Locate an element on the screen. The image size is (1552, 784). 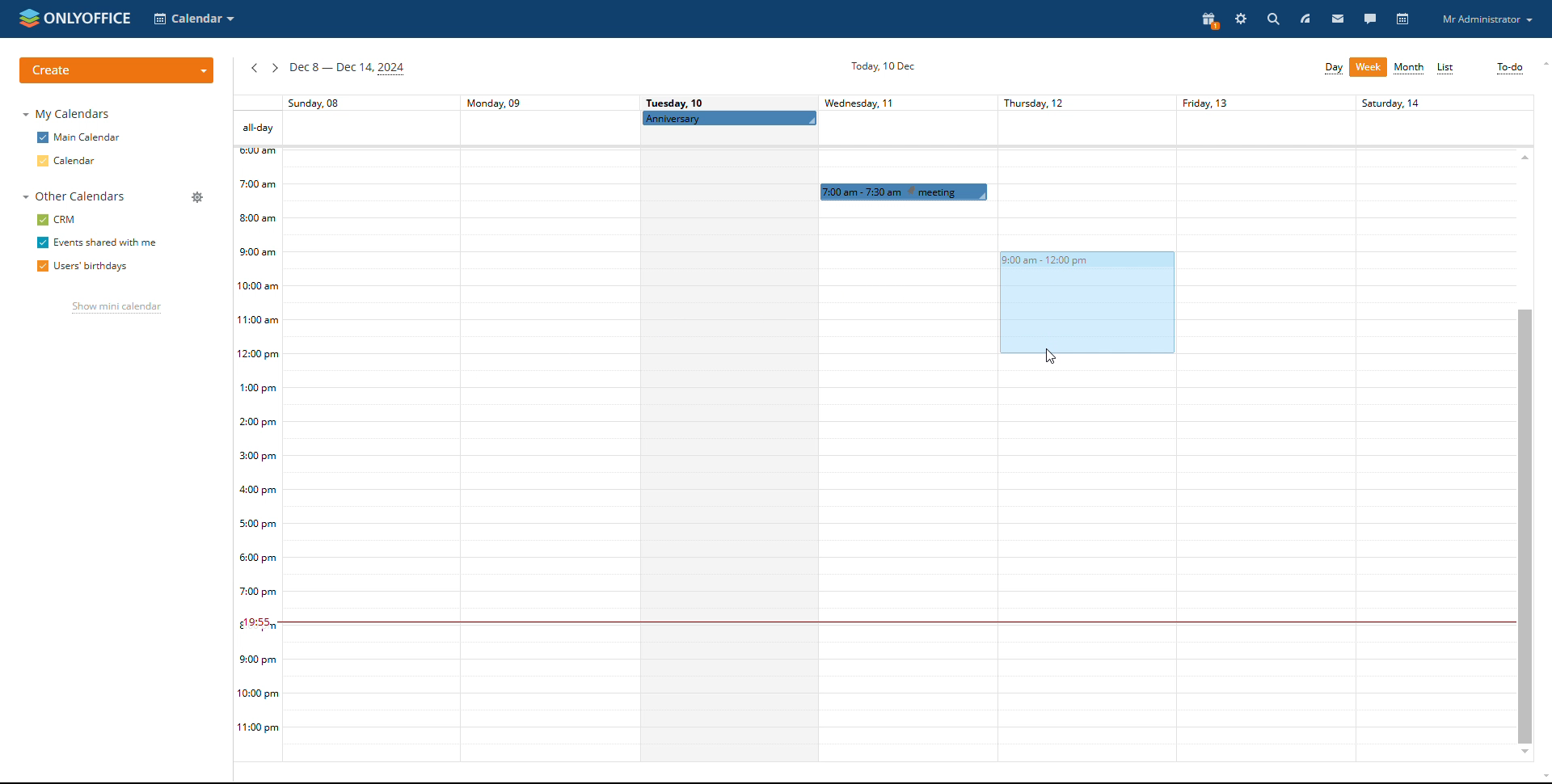
timeline is located at coordinates (258, 455).